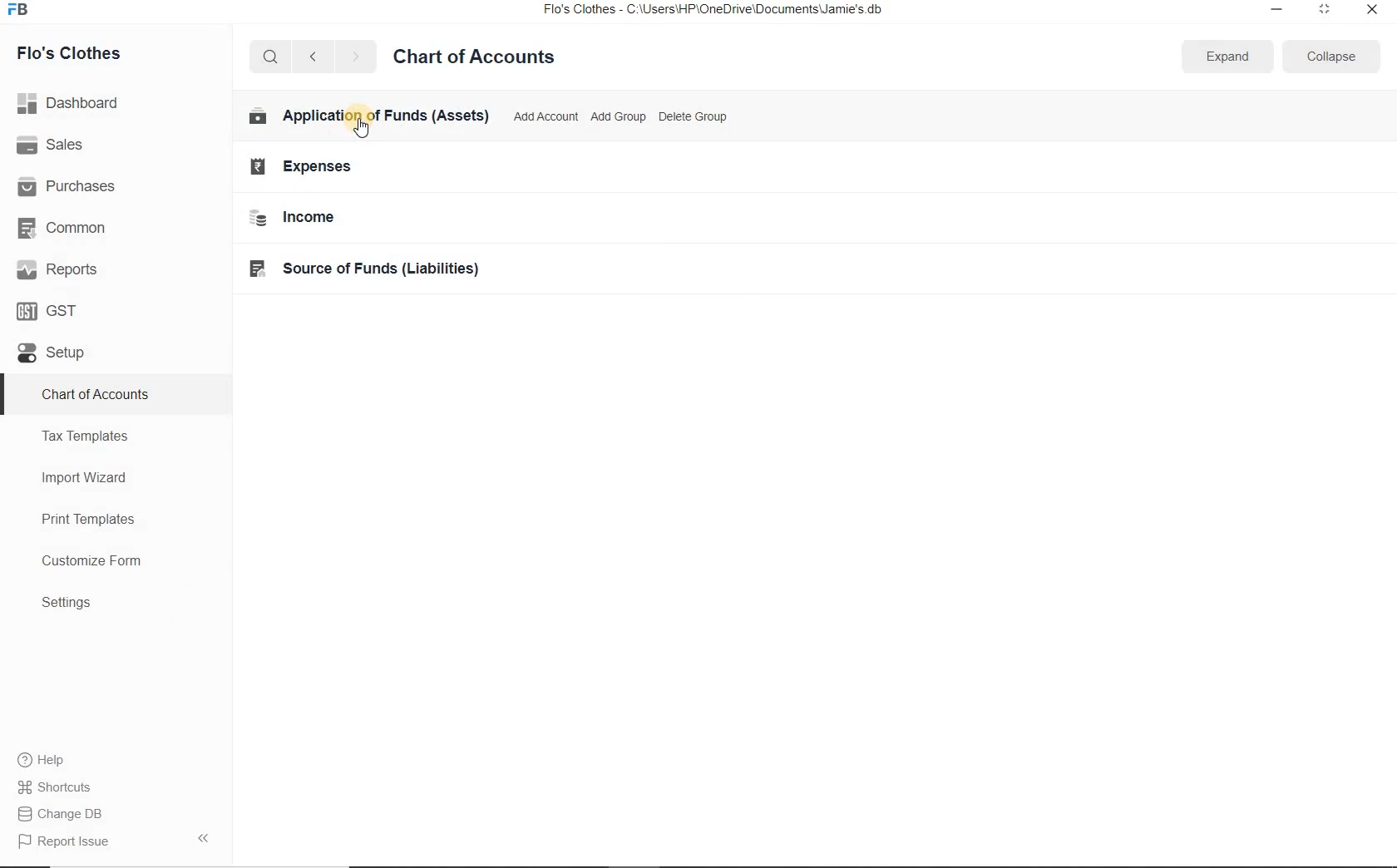 The height and width of the screenshot is (868, 1397). Describe the element at coordinates (81, 53) in the screenshot. I see `Flo's Clothes` at that location.